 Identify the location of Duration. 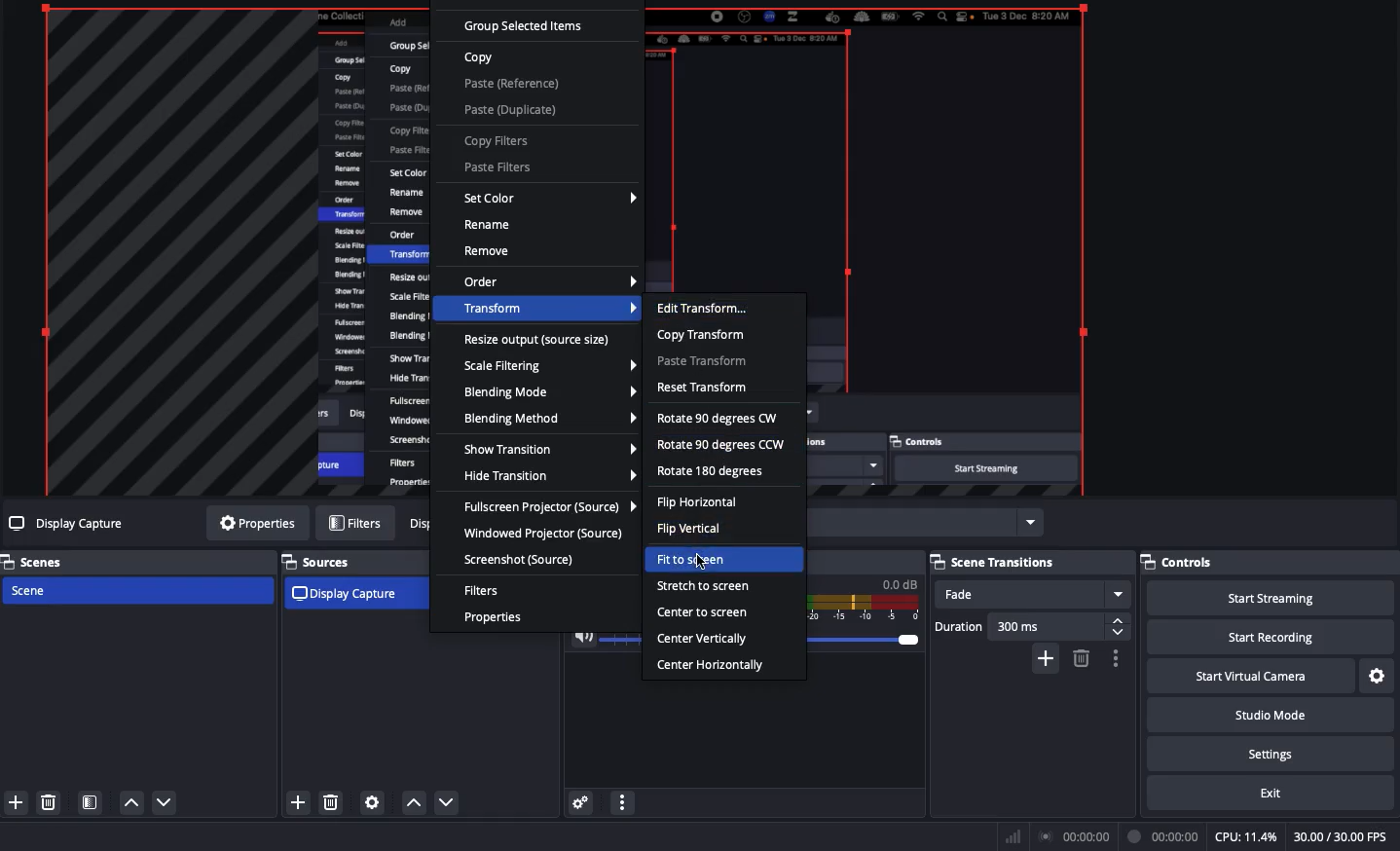
(1030, 628).